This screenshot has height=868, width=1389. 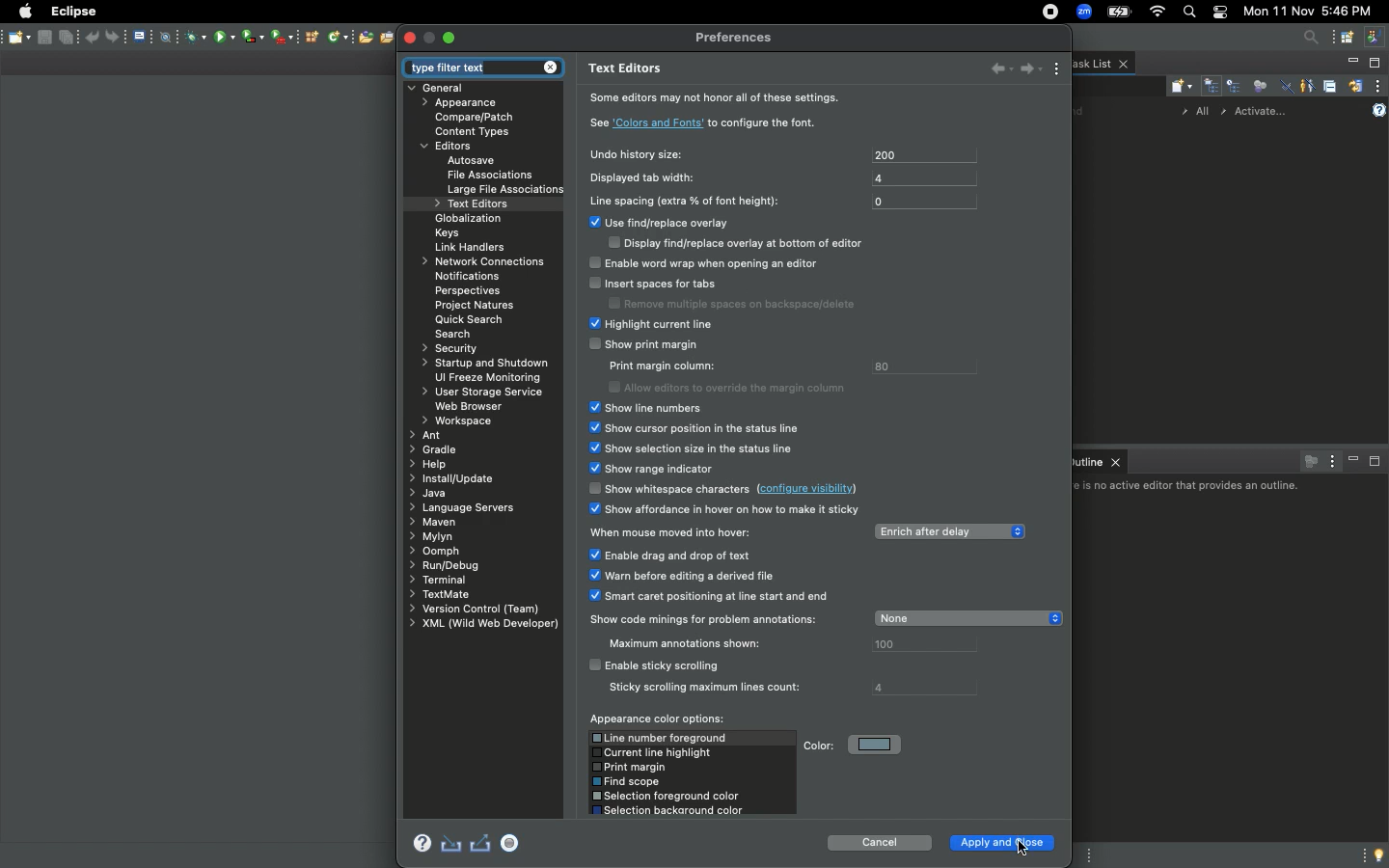 What do you see at coordinates (363, 38) in the screenshot?
I see `Open new file` at bounding box center [363, 38].